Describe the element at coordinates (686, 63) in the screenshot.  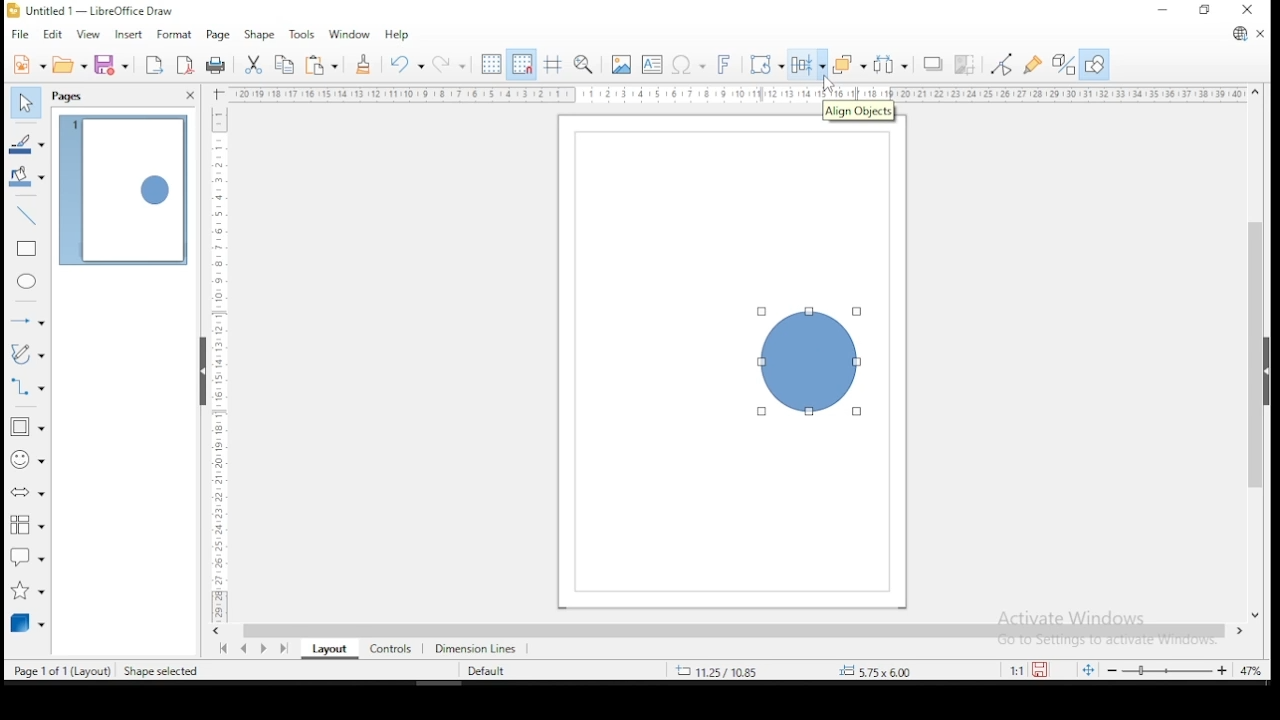
I see `insert special characters` at that location.